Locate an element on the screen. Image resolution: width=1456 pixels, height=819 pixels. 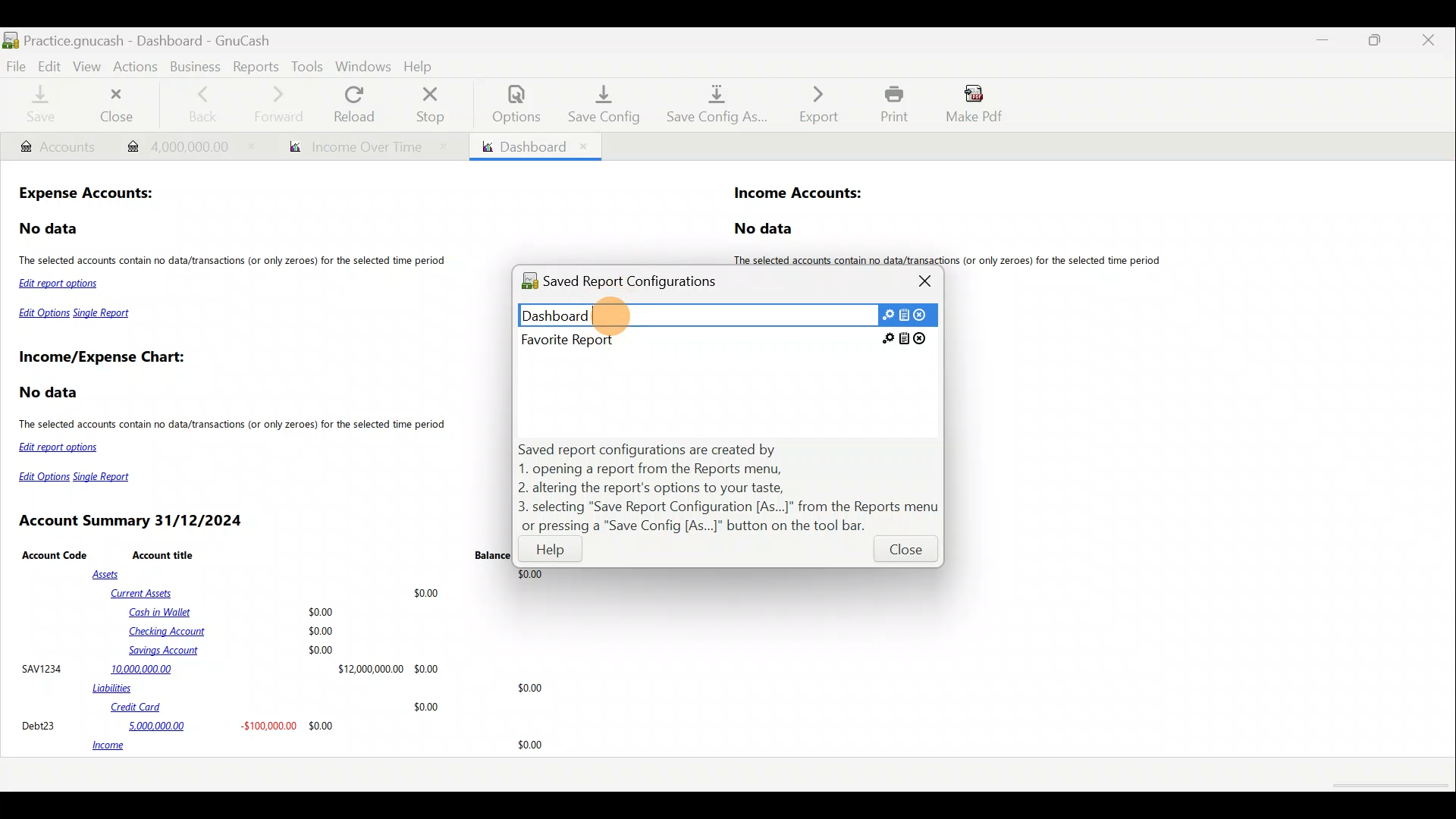
Print is located at coordinates (890, 104).